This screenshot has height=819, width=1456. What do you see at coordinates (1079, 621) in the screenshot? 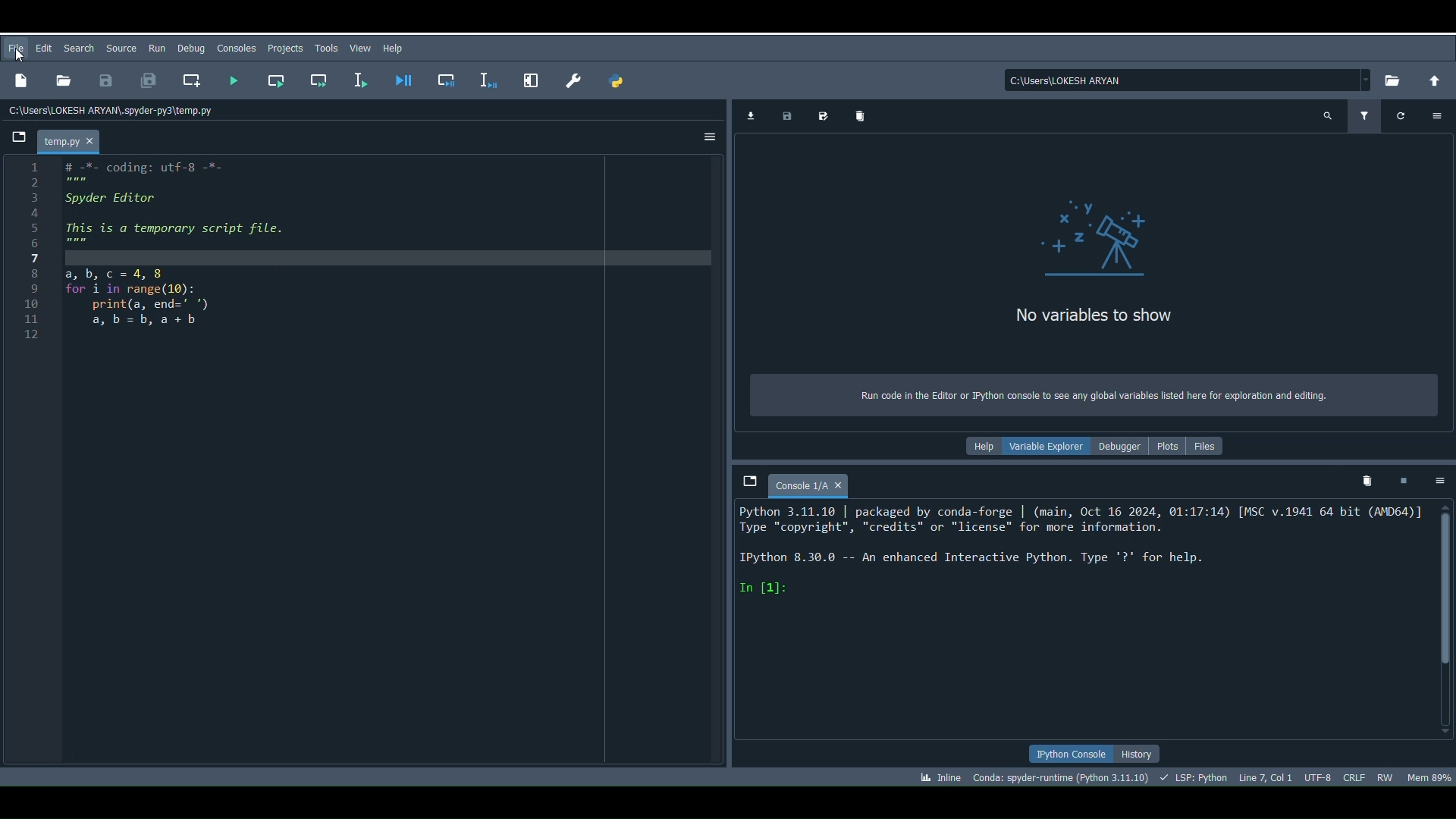
I see `Console editor` at bounding box center [1079, 621].